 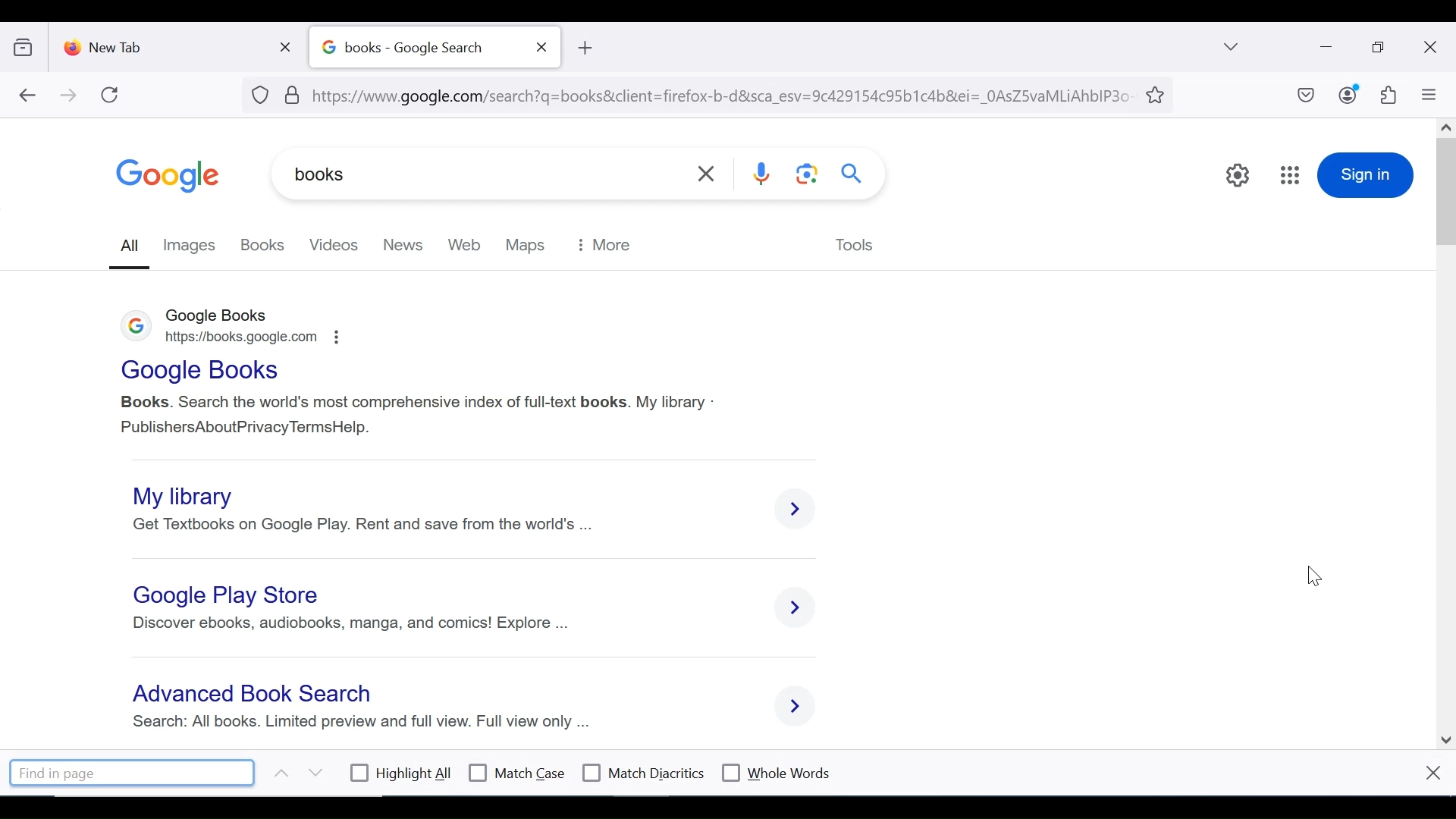 What do you see at coordinates (224, 313) in the screenshot?
I see `google books` at bounding box center [224, 313].